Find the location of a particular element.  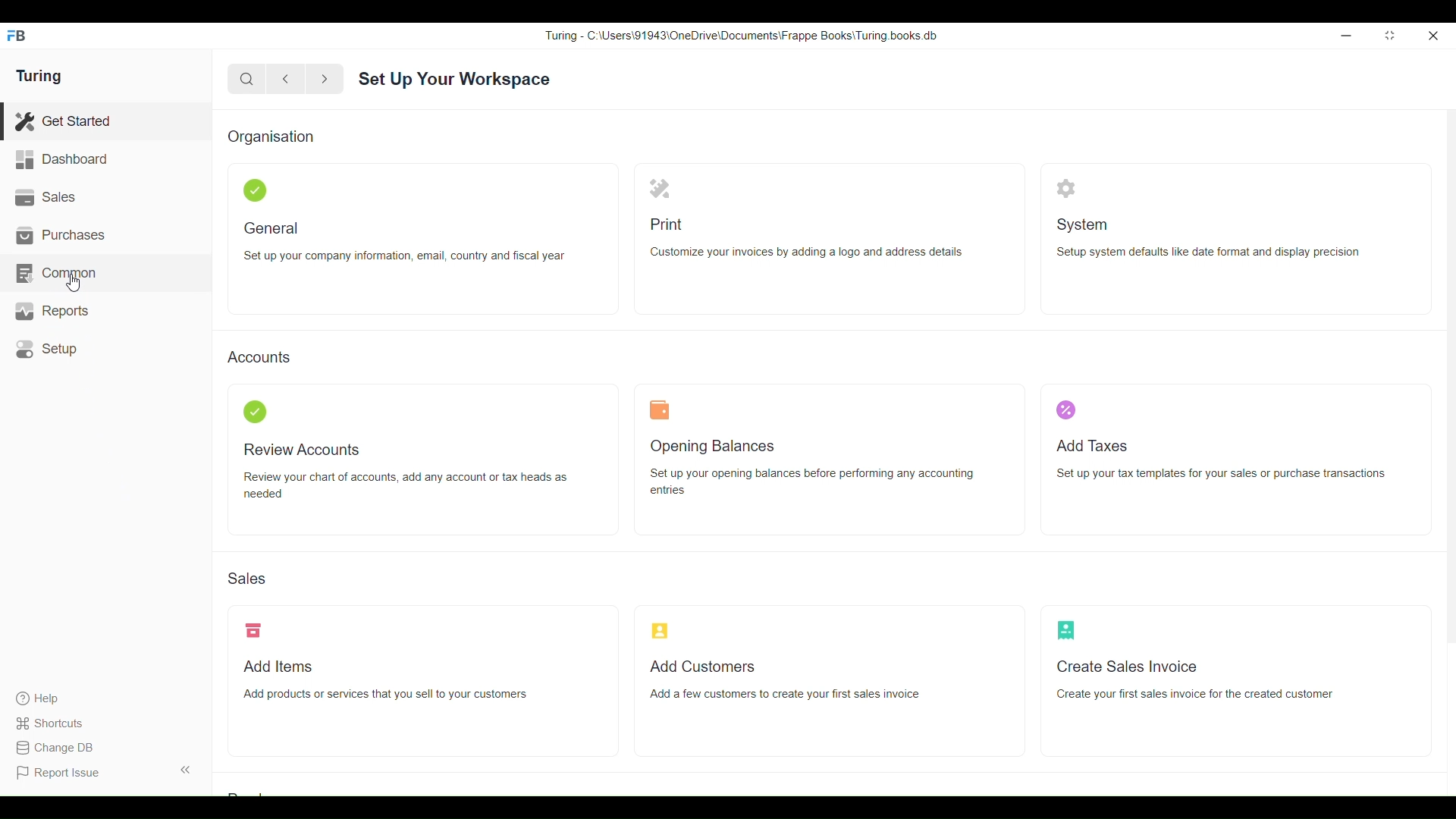

Opening Balances Set up your opening balances before performing any accounting entries is located at coordinates (812, 468).